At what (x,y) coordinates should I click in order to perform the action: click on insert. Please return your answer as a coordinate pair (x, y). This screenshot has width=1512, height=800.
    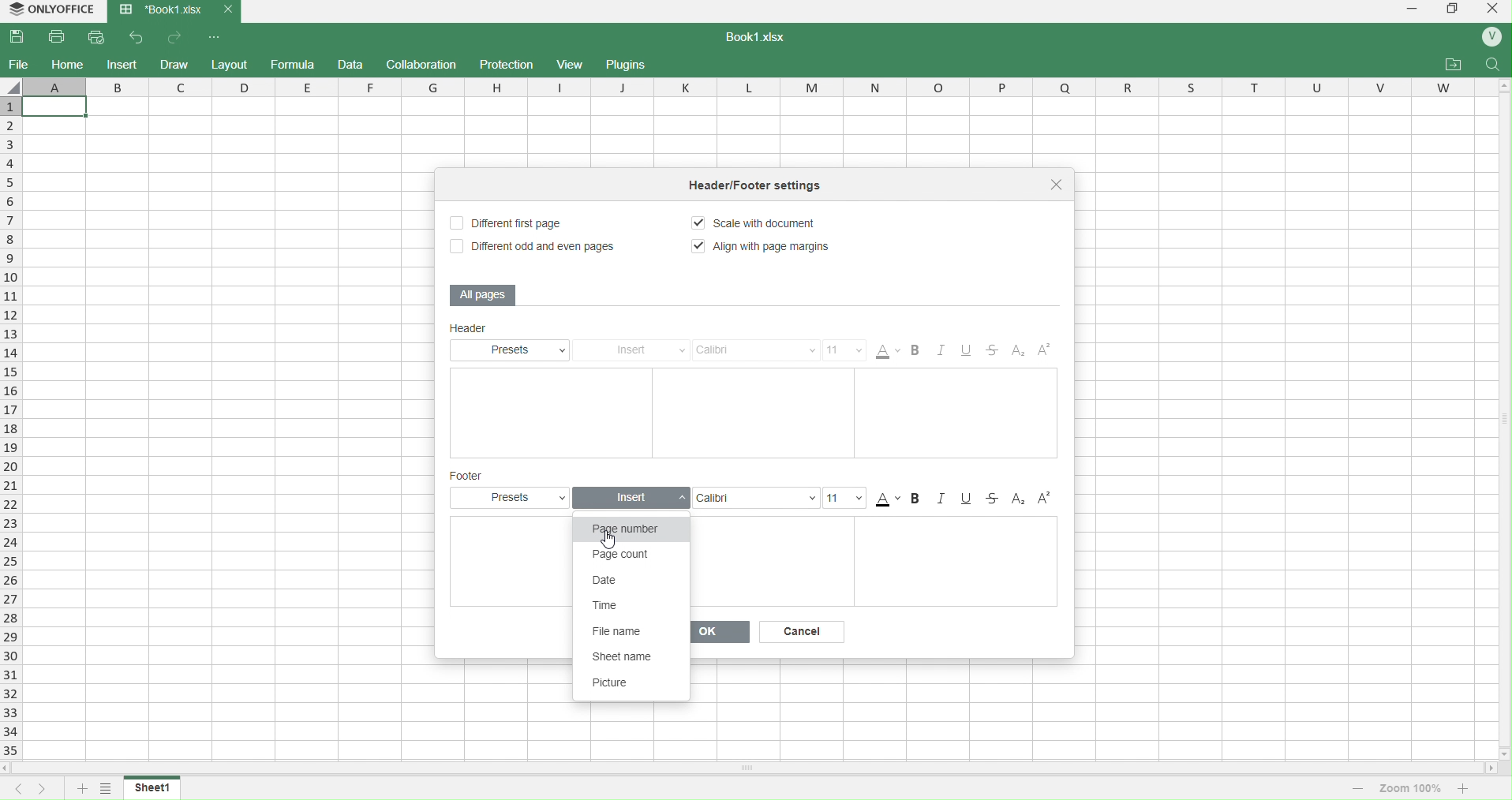
    Looking at the image, I should click on (122, 64).